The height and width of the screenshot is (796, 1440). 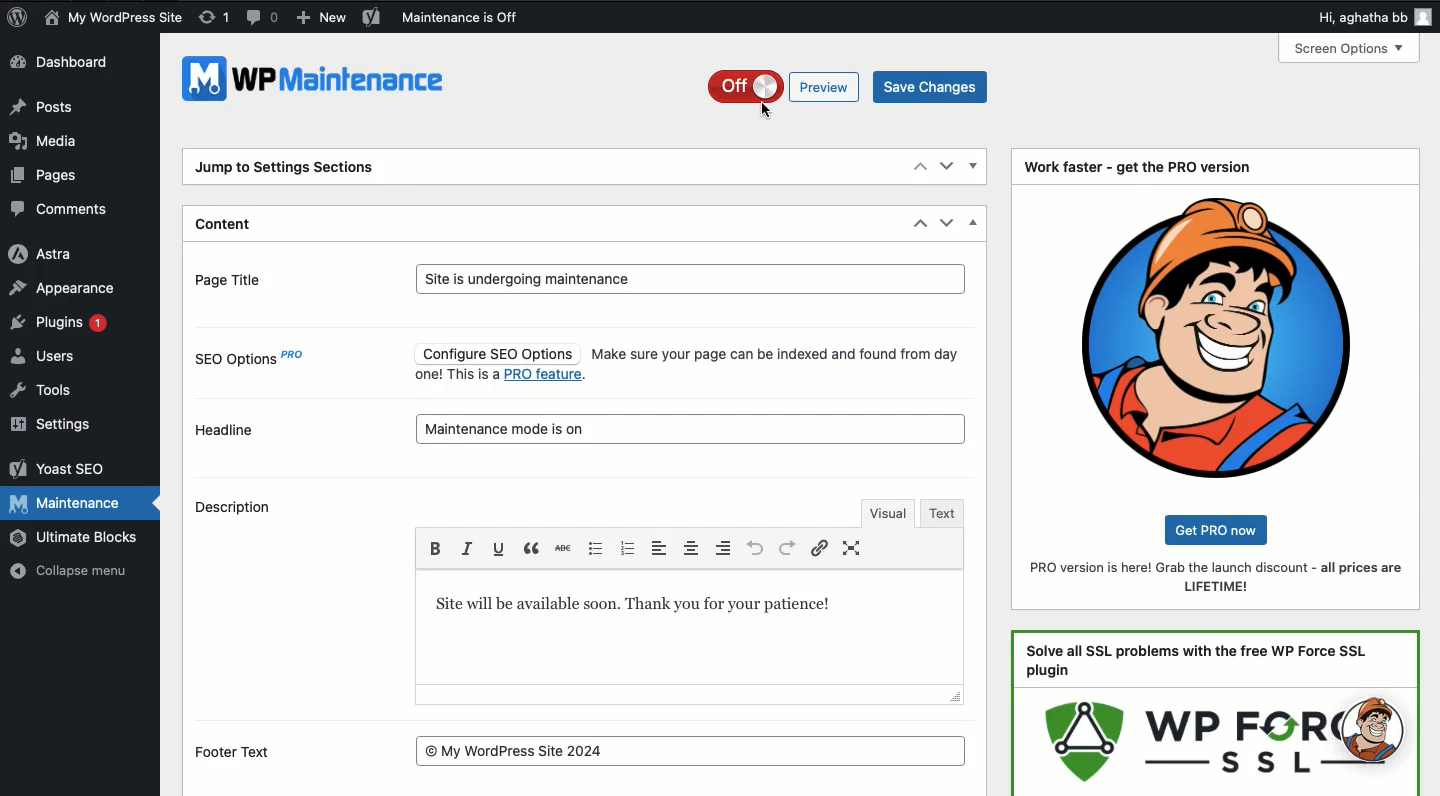 What do you see at coordinates (467, 547) in the screenshot?
I see `Italics` at bounding box center [467, 547].